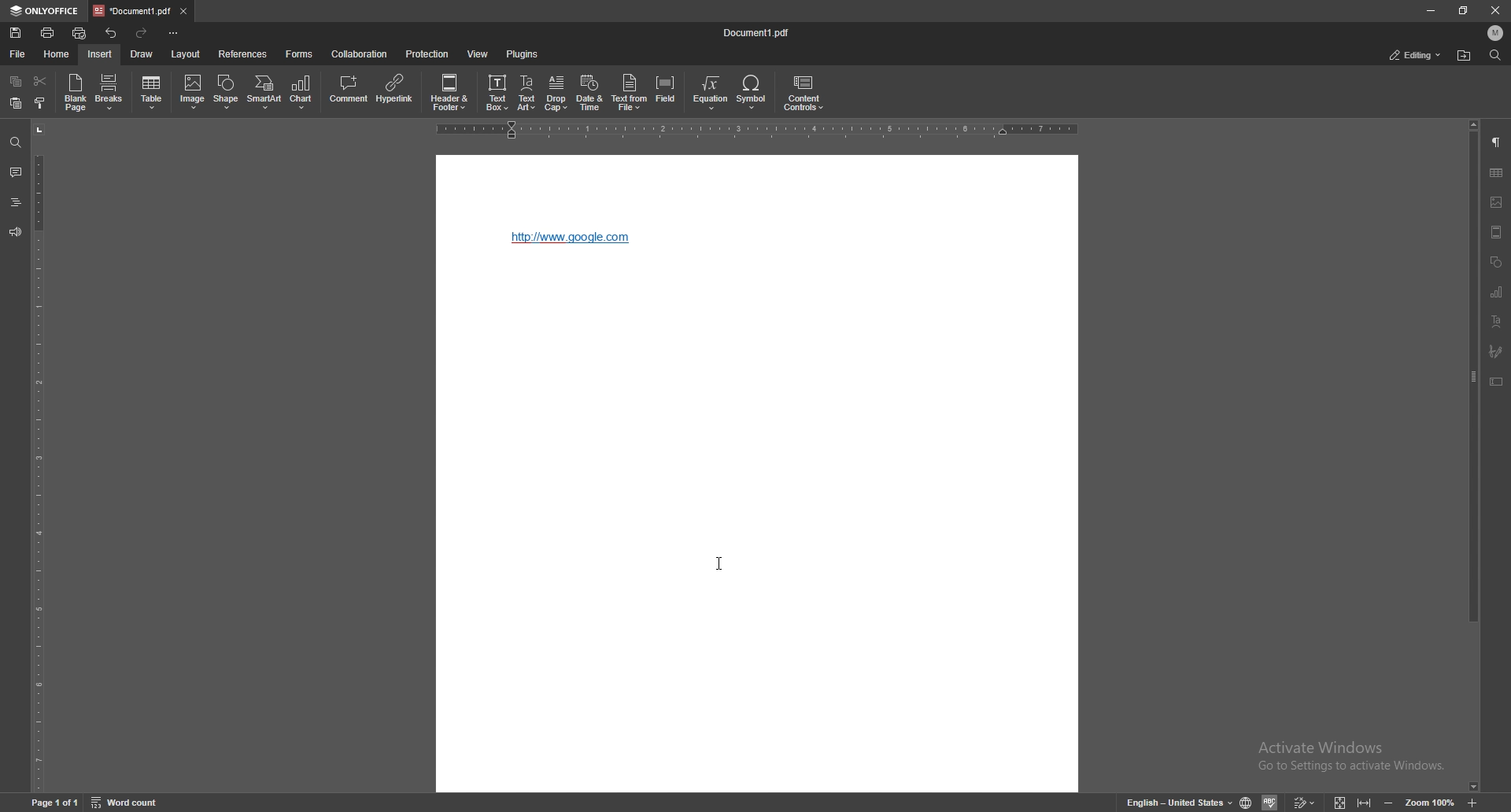 The height and width of the screenshot is (812, 1511). I want to click on draw, so click(142, 54).